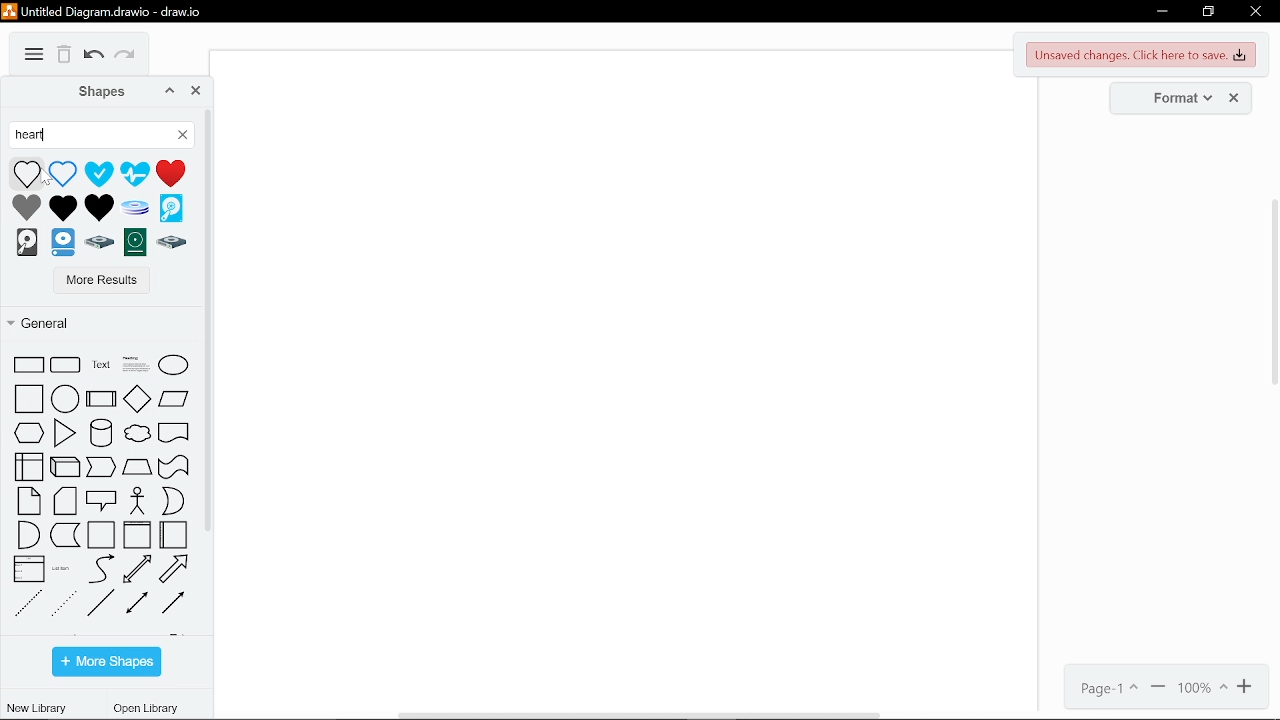 The height and width of the screenshot is (720, 1280). What do you see at coordinates (207, 322) in the screenshot?
I see `scroll bar` at bounding box center [207, 322].